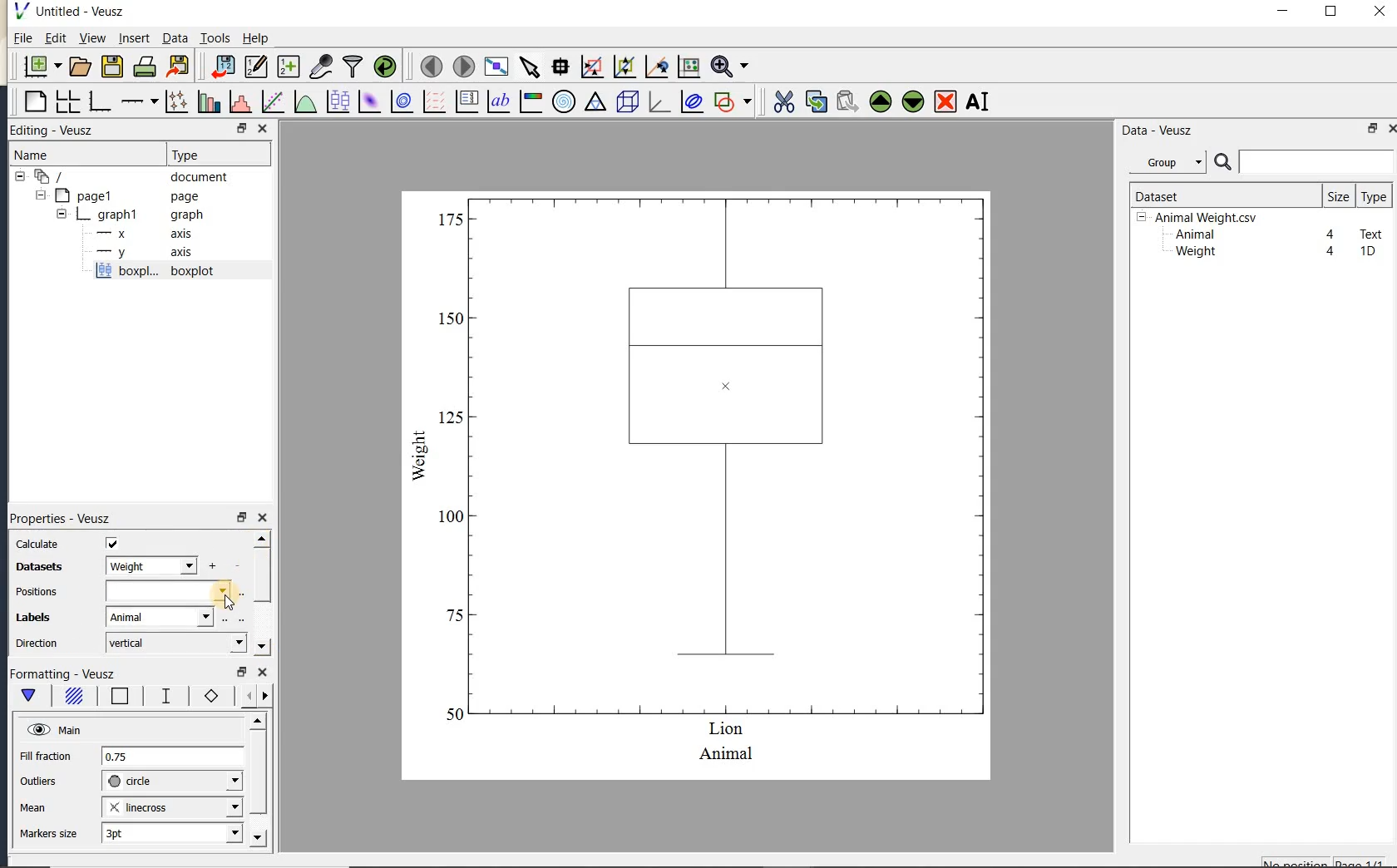  I want to click on size, so click(1338, 195).